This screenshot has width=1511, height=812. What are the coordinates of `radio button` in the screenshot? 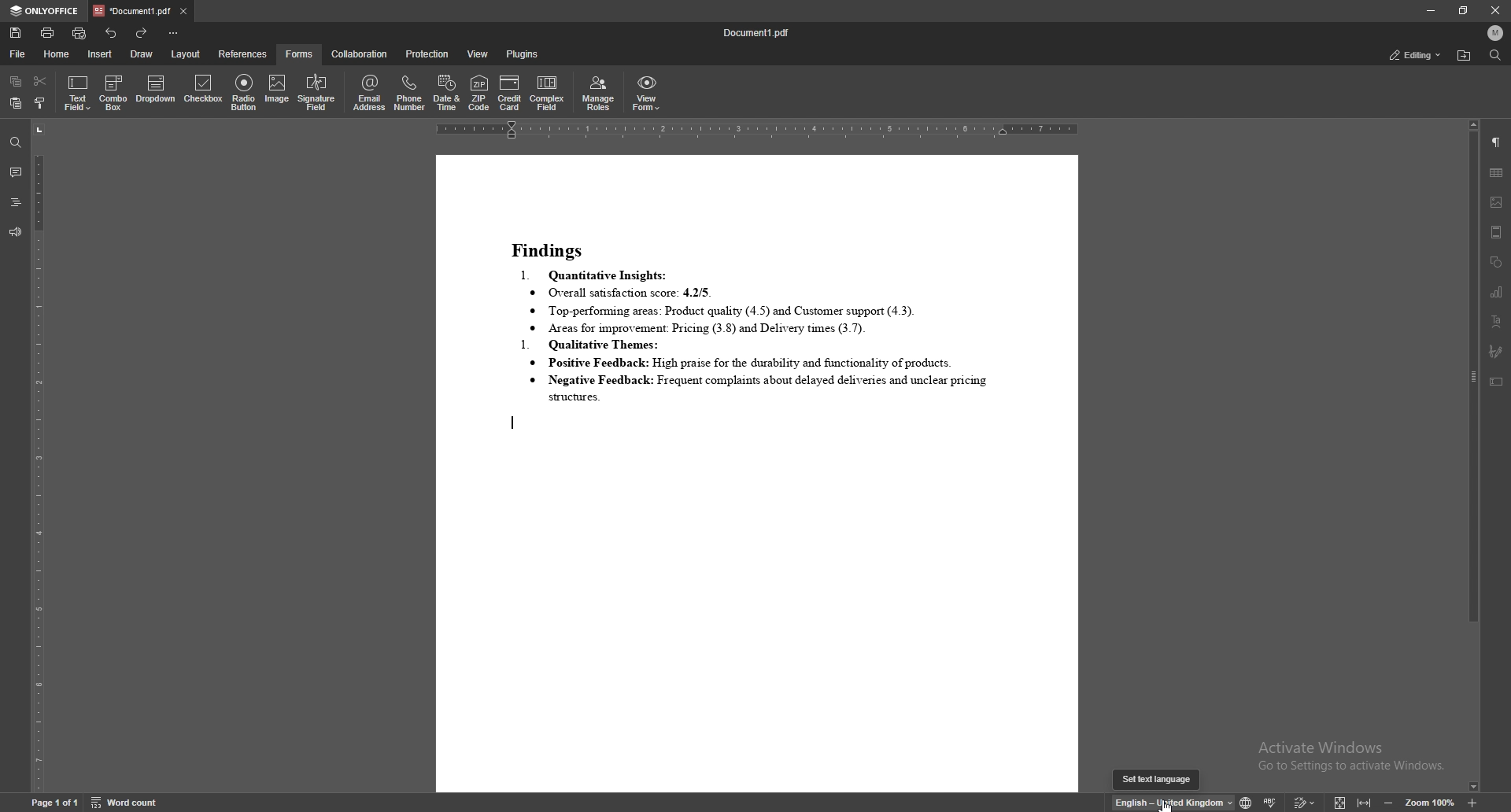 It's located at (245, 93).